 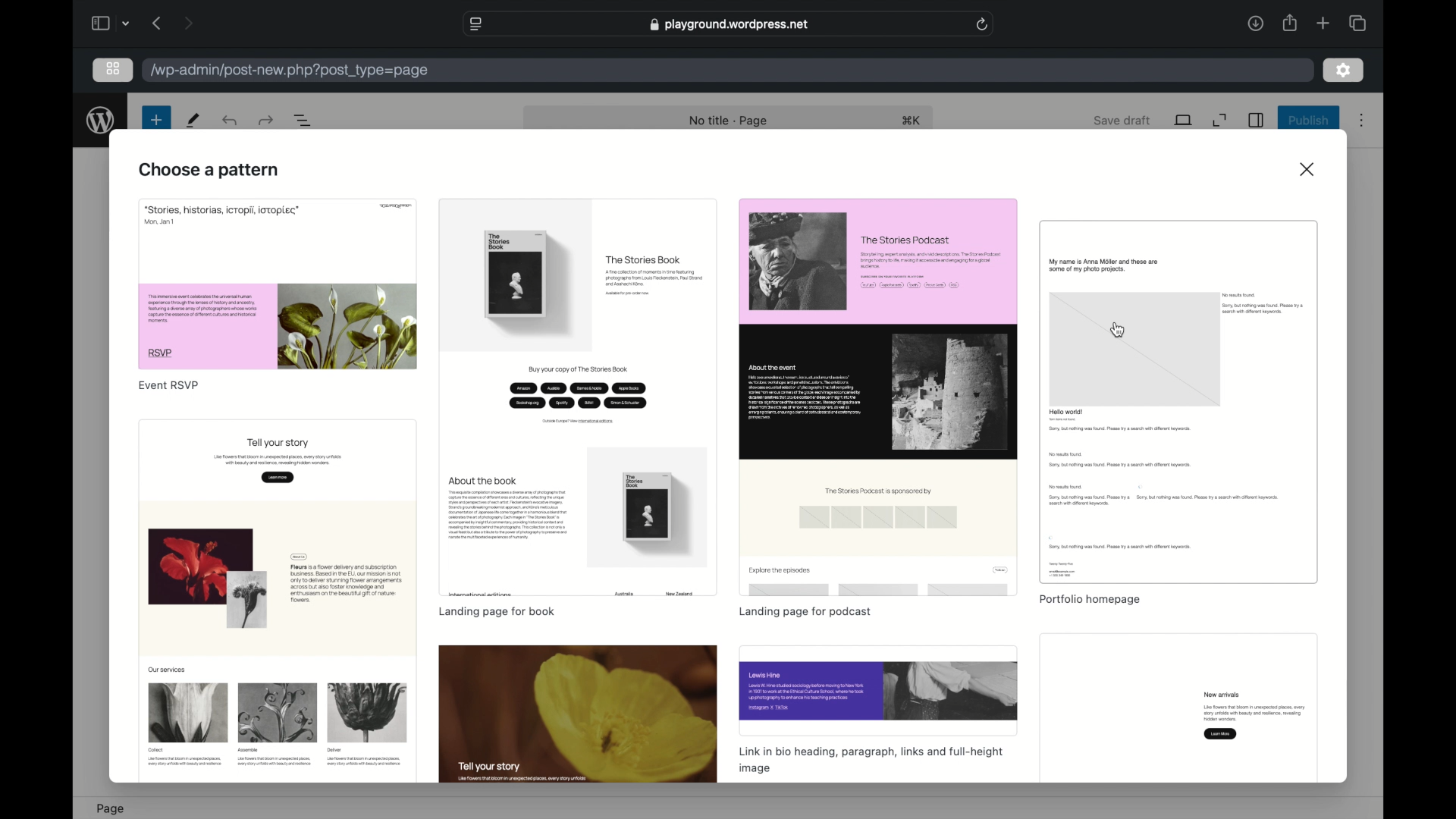 What do you see at coordinates (1220, 120) in the screenshot?
I see `expand` at bounding box center [1220, 120].